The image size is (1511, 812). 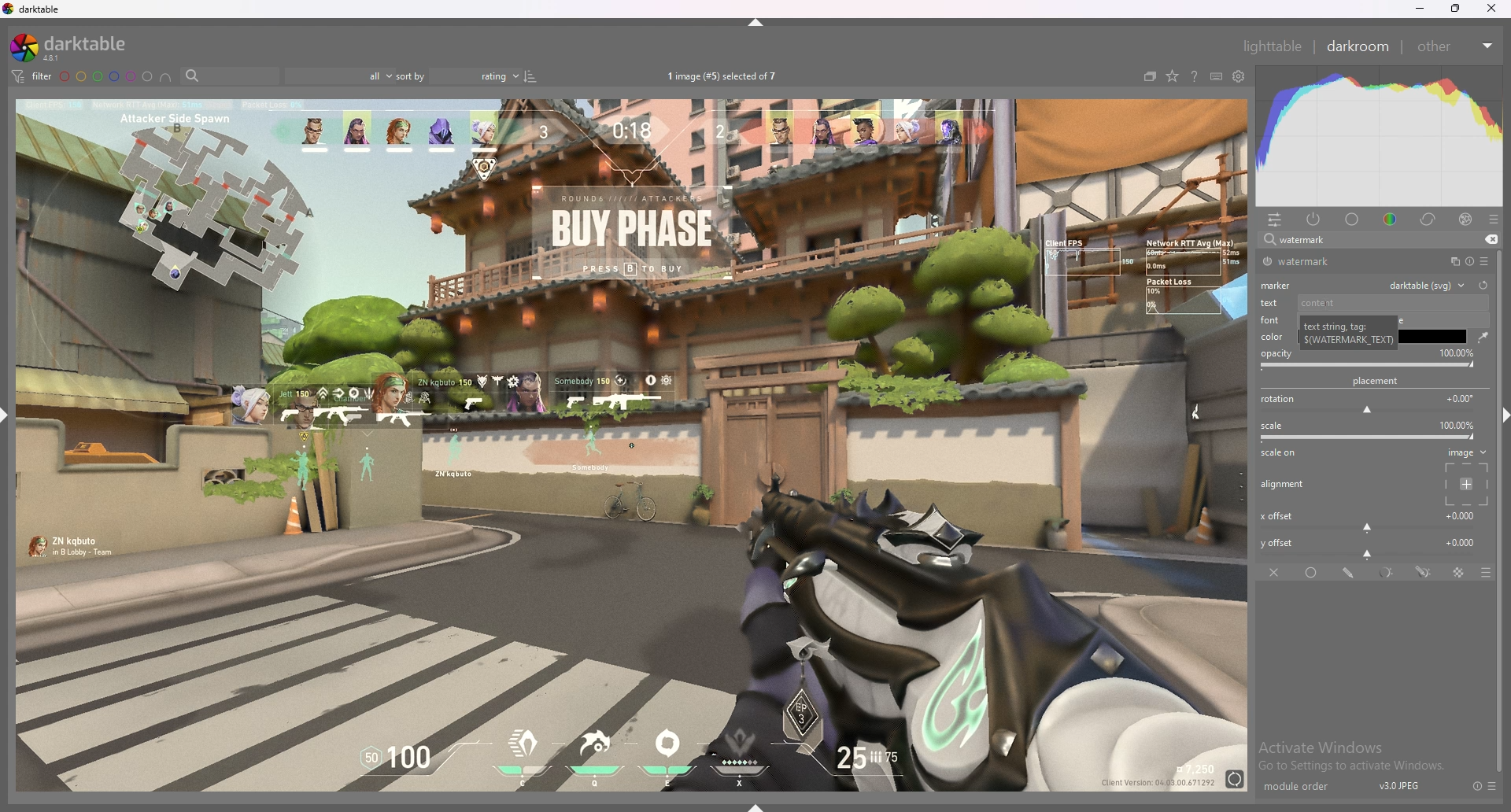 What do you see at coordinates (1379, 381) in the screenshot?
I see `placement` at bounding box center [1379, 381].